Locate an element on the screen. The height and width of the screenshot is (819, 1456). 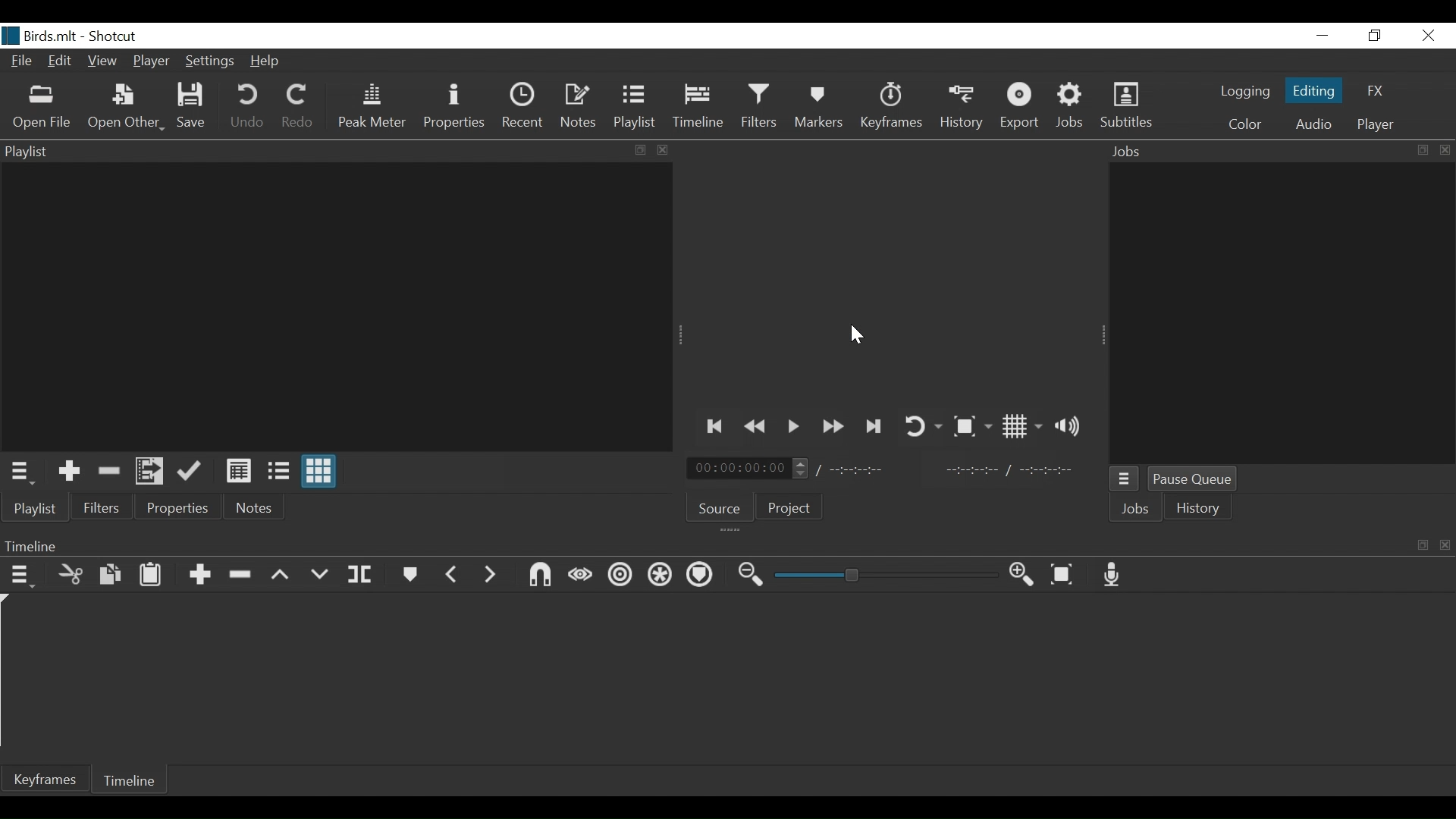
Append is located at coordinates (199, 576).